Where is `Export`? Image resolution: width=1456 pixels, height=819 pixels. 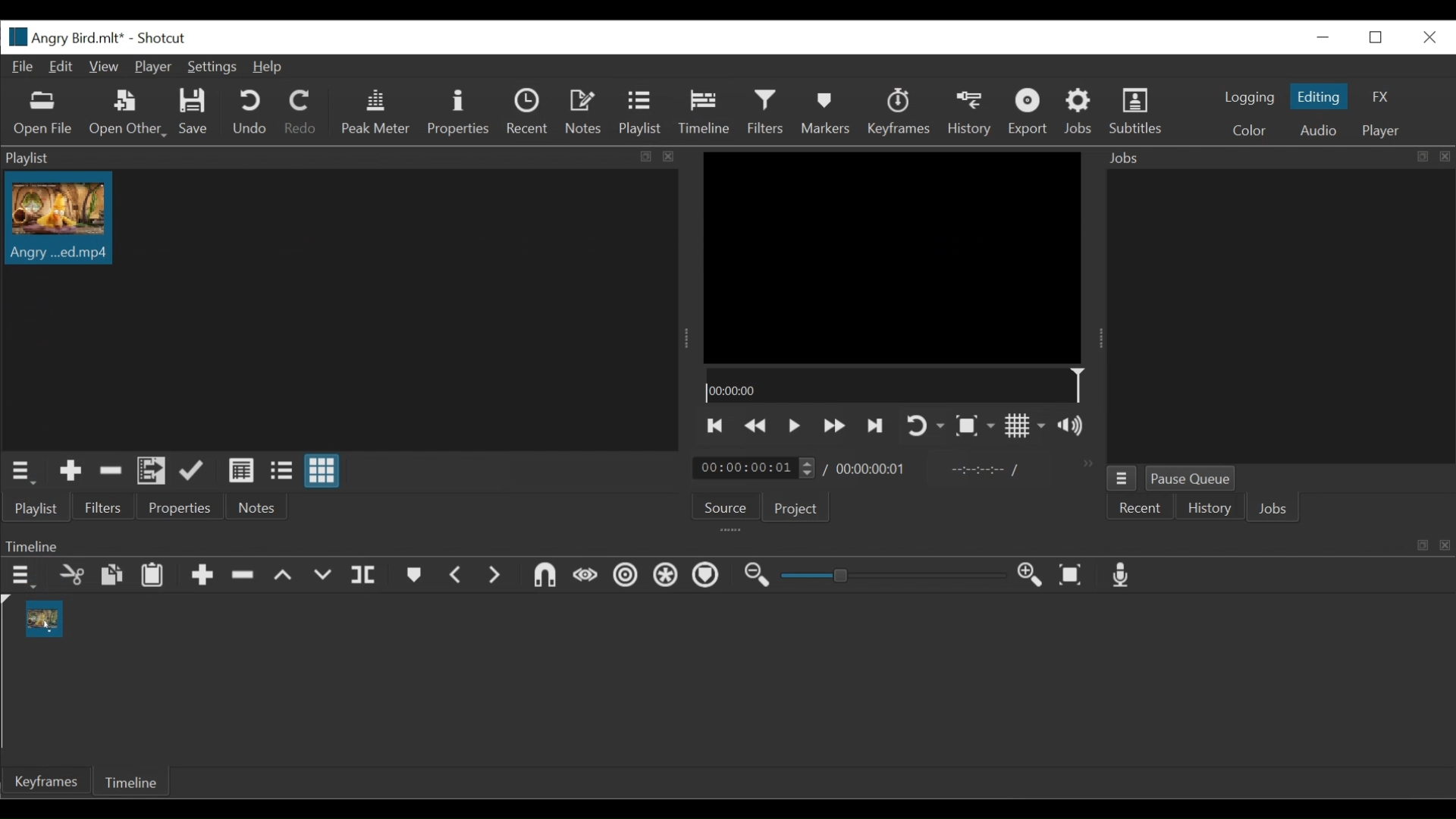 Export is located at coordinates (1029, 114).